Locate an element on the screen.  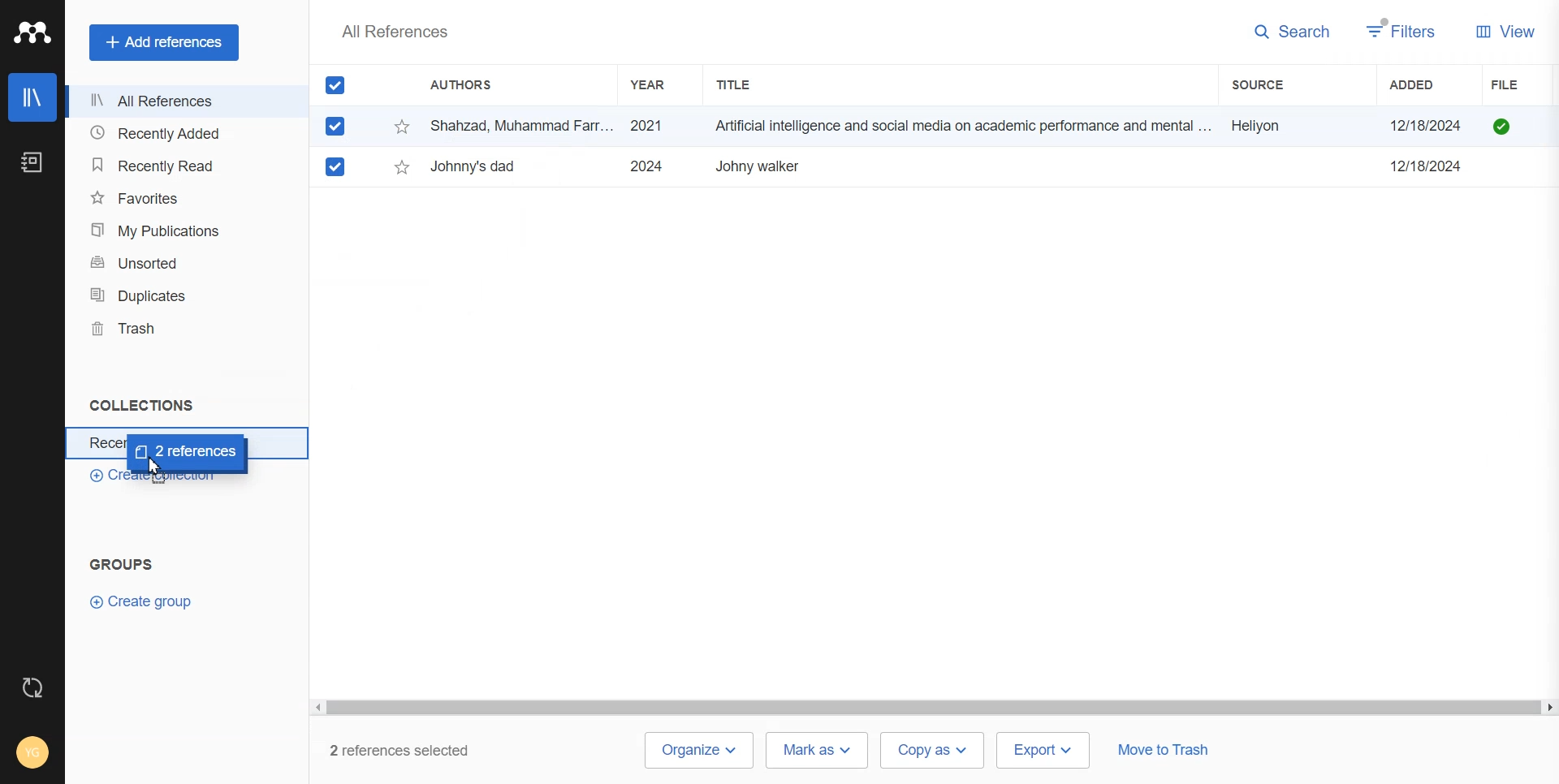
Checked mark is located at coordinates (336, 126).